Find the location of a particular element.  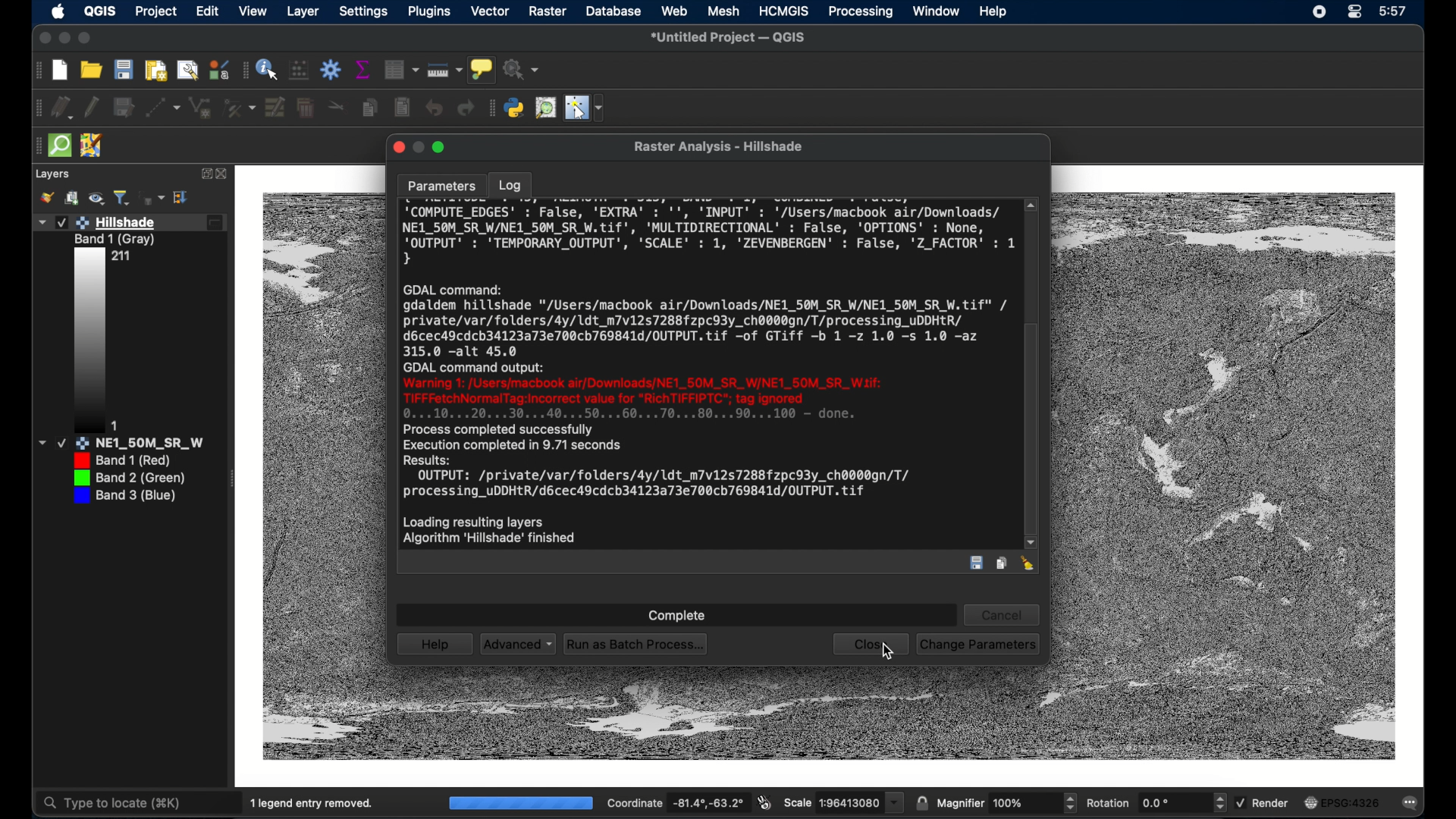

jsom remote is located at coordinates (93, 144).